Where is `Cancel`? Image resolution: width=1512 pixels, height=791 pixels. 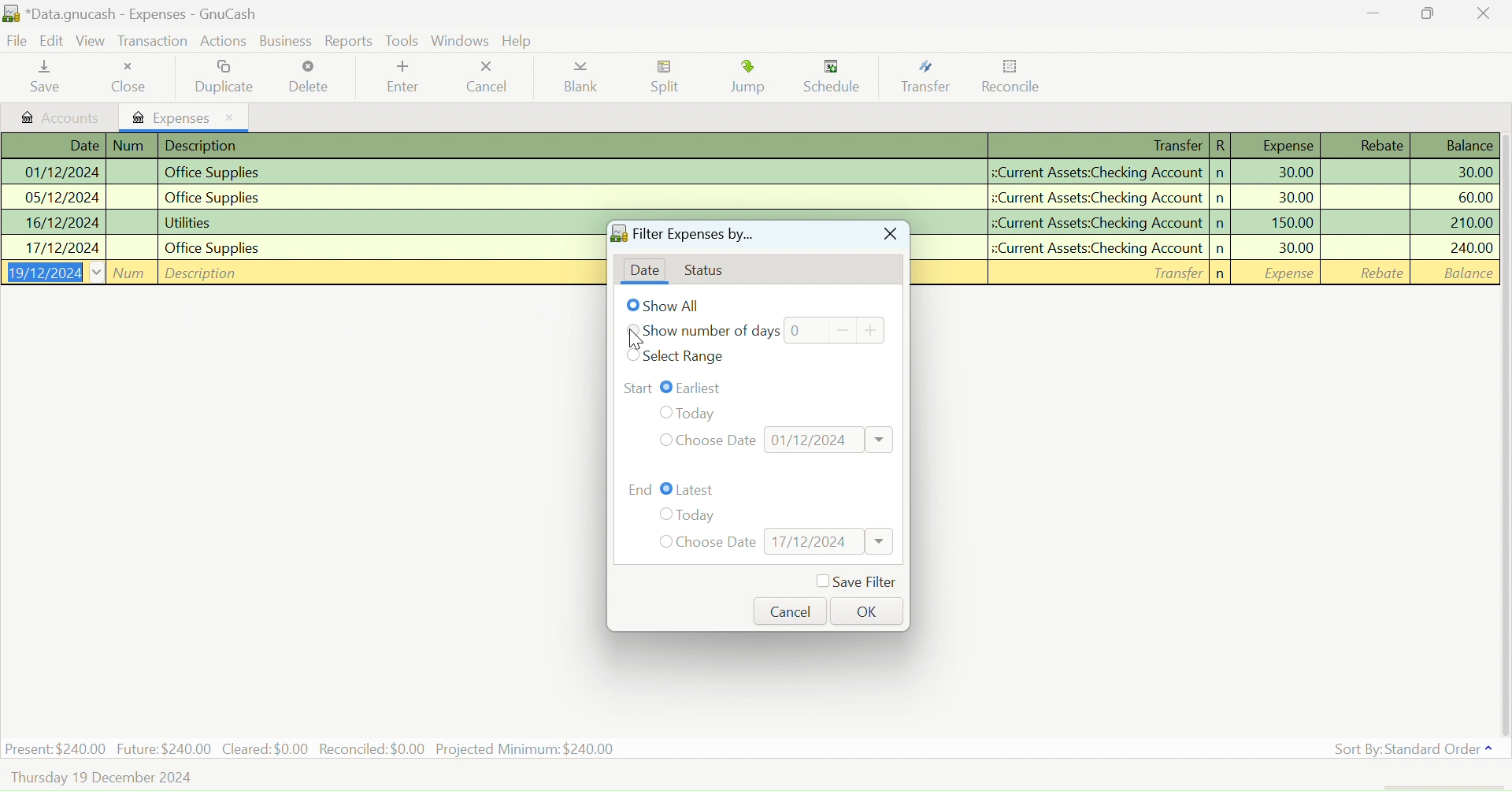 Cancel is located at coordinates (791, 611).